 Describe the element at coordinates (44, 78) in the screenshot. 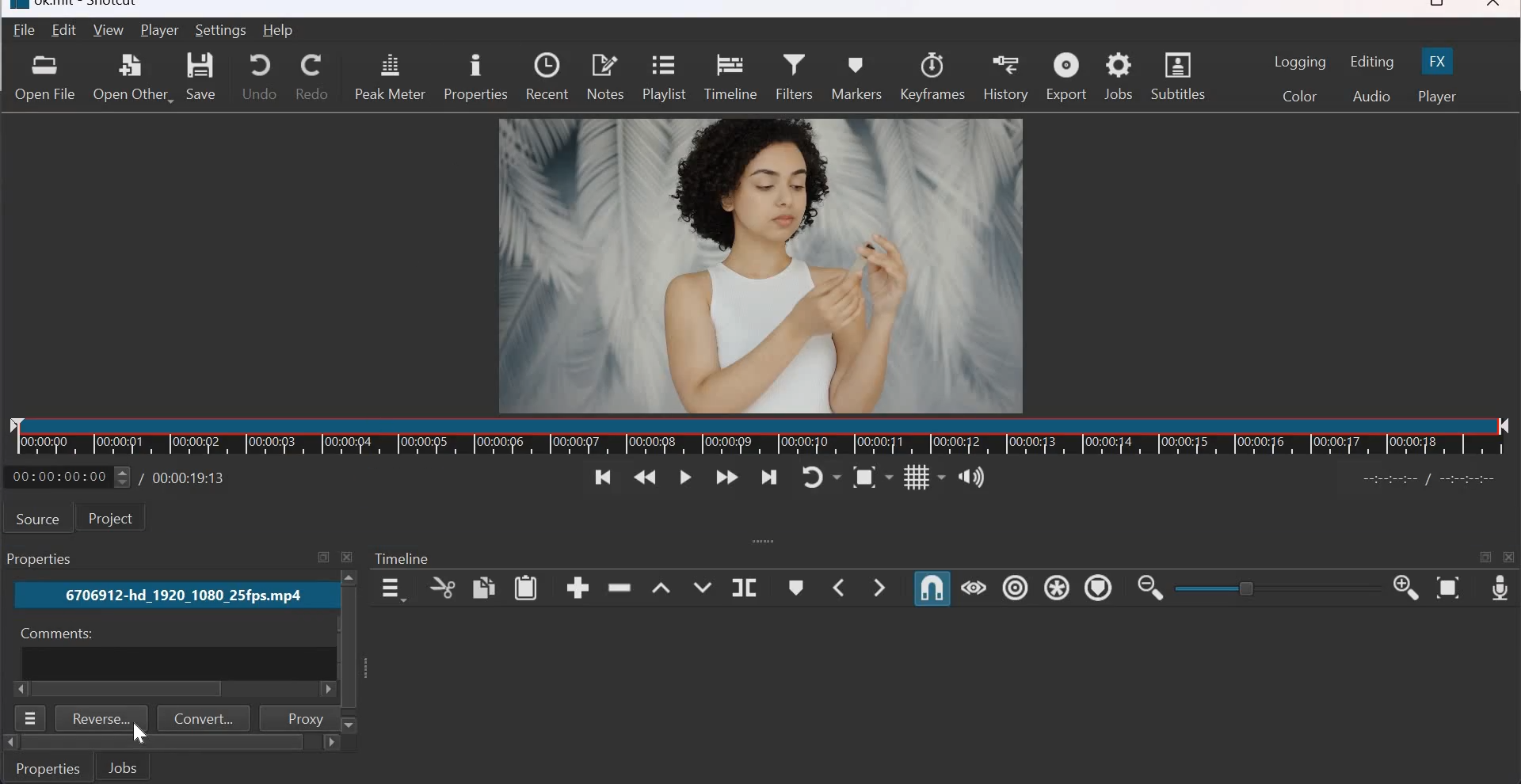

I see `Open file` at that location.